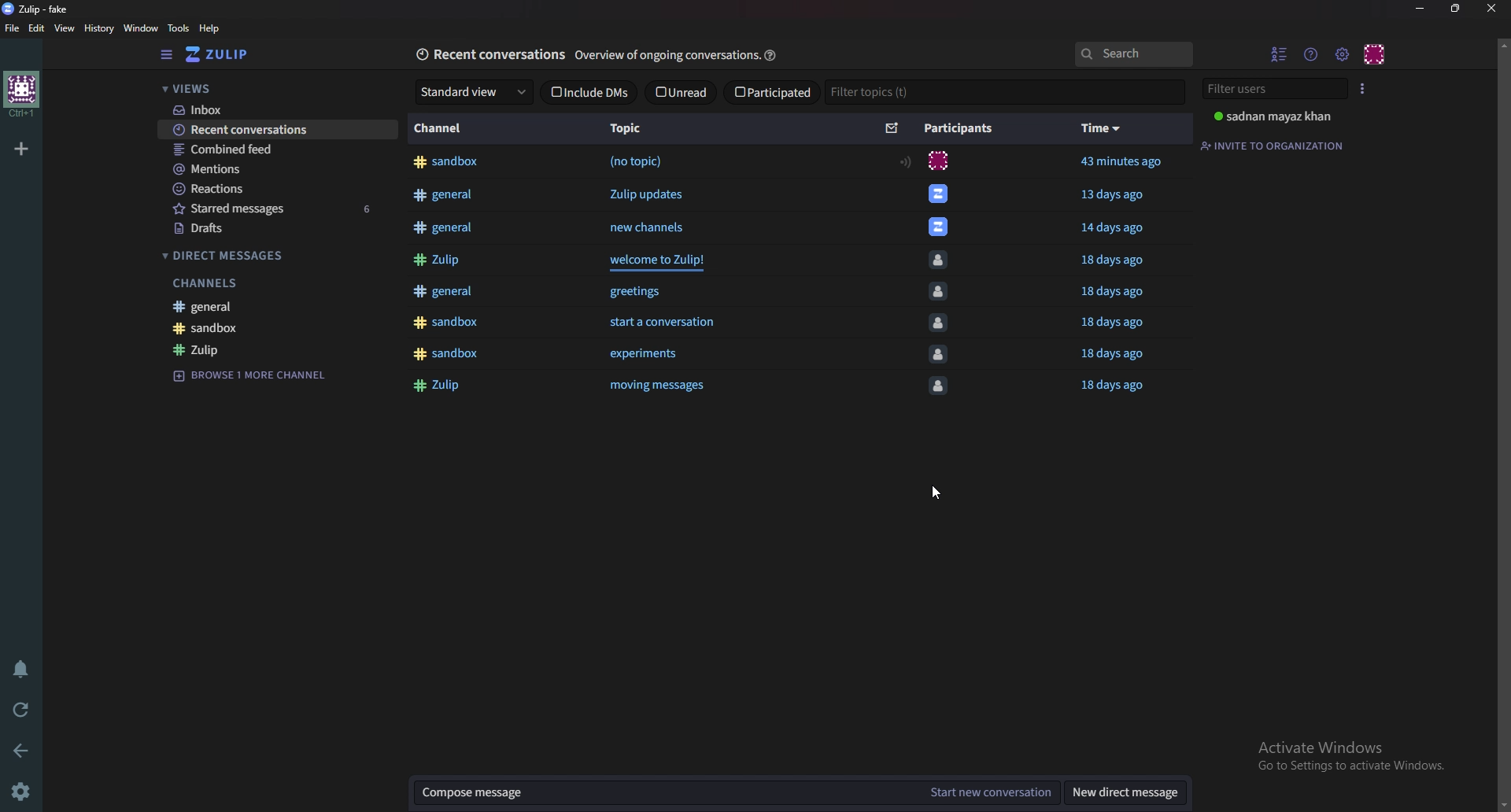 The height and width of the screenshot is (812, 1511). I want to click on unread, so click(685, 91).